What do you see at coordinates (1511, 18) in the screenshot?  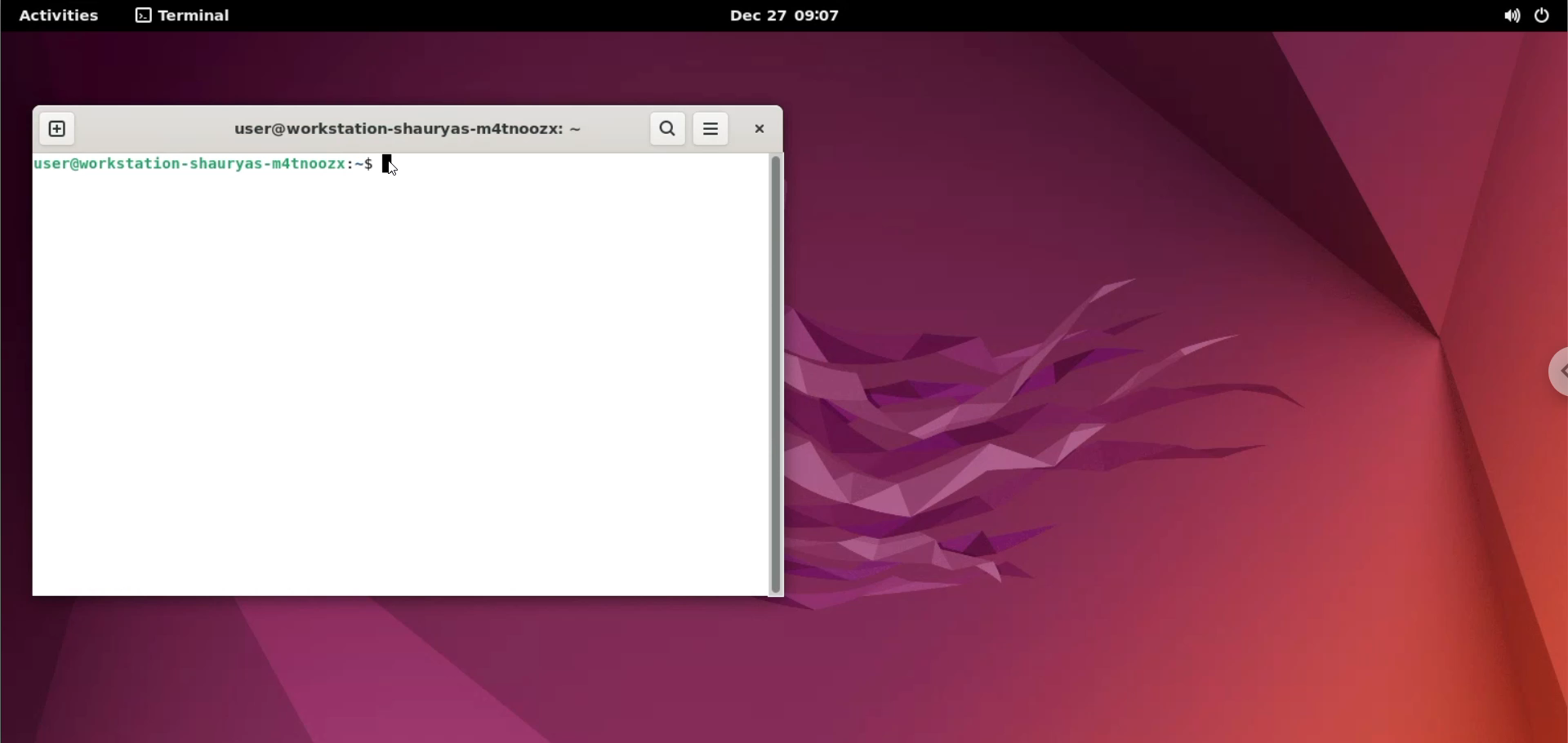 I see `Sound` at bounding box center [1511, 18].